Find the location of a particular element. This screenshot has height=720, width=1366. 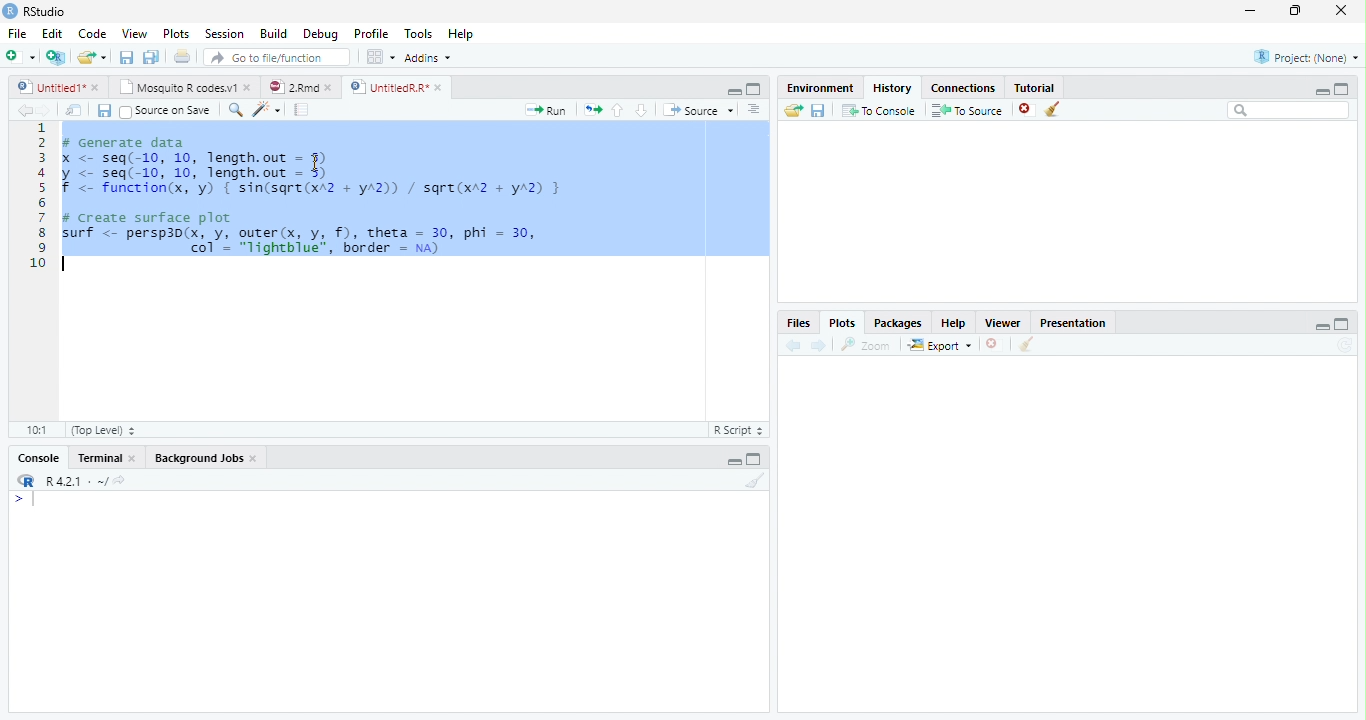

Export is located at coordinates (940, 345).